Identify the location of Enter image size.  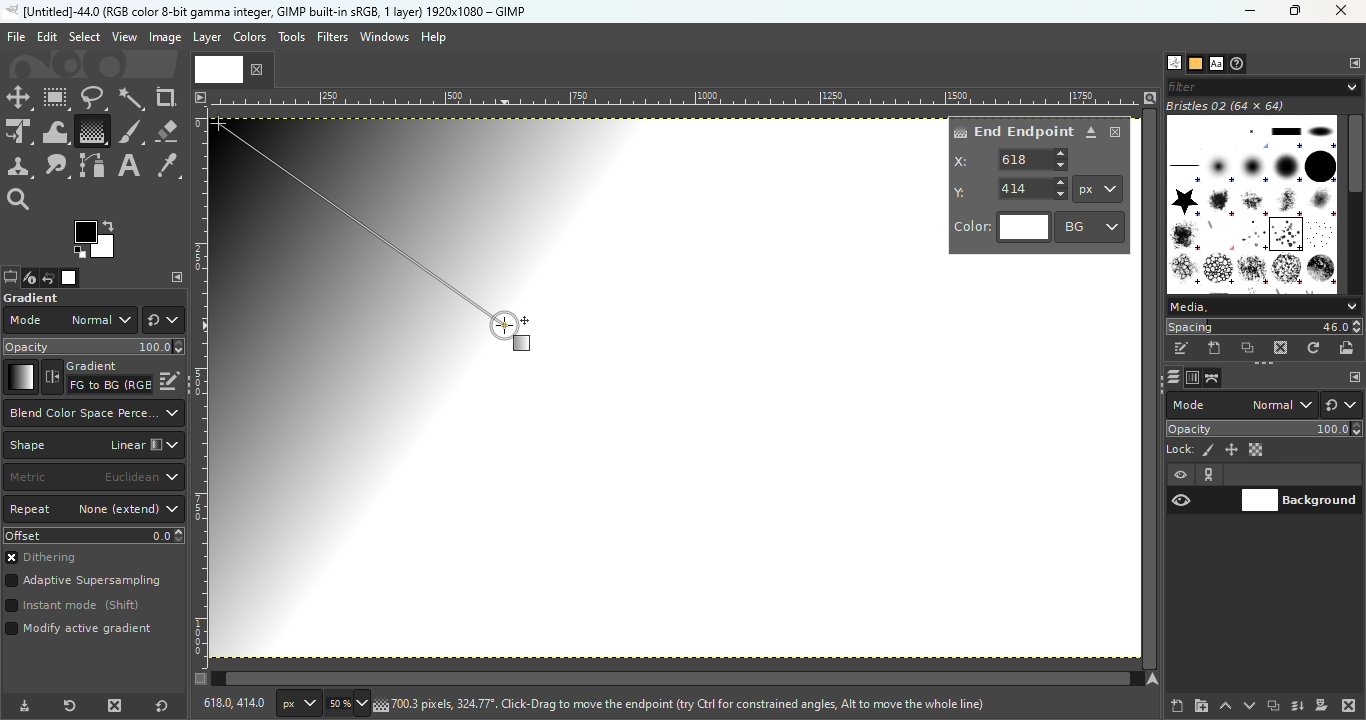
(345, 704).